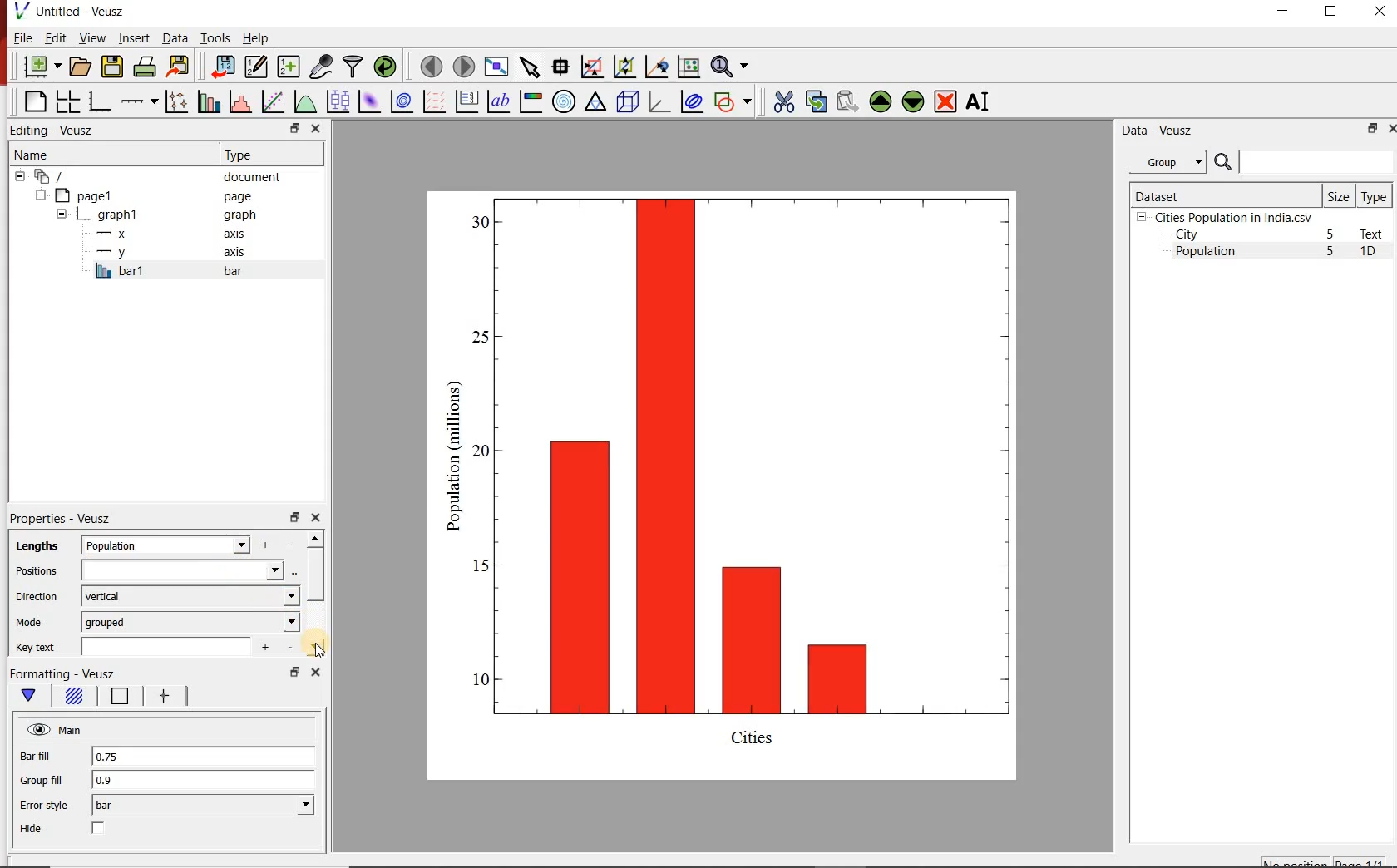 This screenshot has width=1397, height=868. What do you see at coordinates (139, 99) in the screenshot?
I see `Add an axis to the plot` at bounding box center [139, 99].